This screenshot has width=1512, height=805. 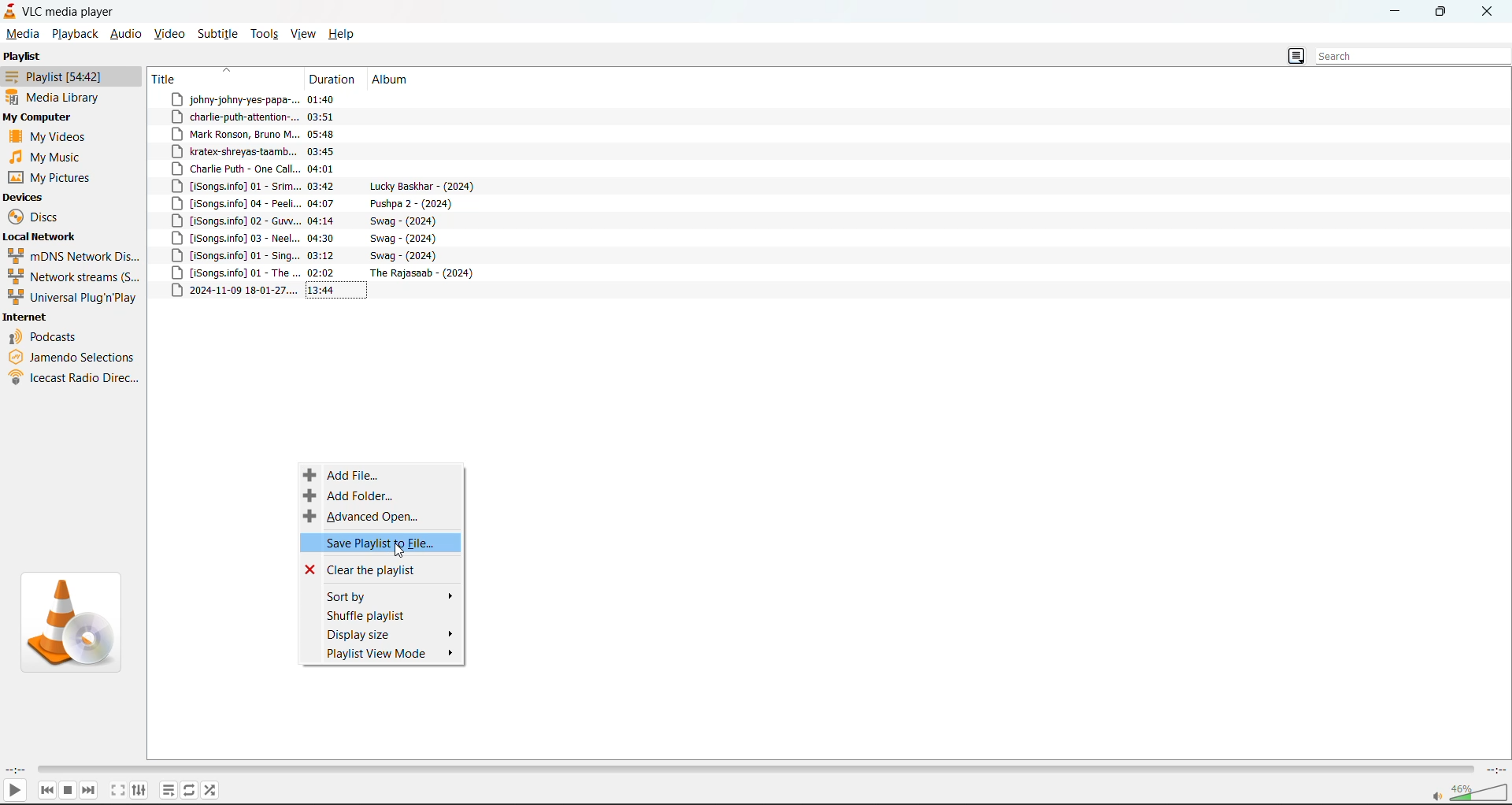 What do you see at coordinates (290, 169) in the screenshot?
I see `track 5 title, duration and album details` at bounding box center [290, 169].